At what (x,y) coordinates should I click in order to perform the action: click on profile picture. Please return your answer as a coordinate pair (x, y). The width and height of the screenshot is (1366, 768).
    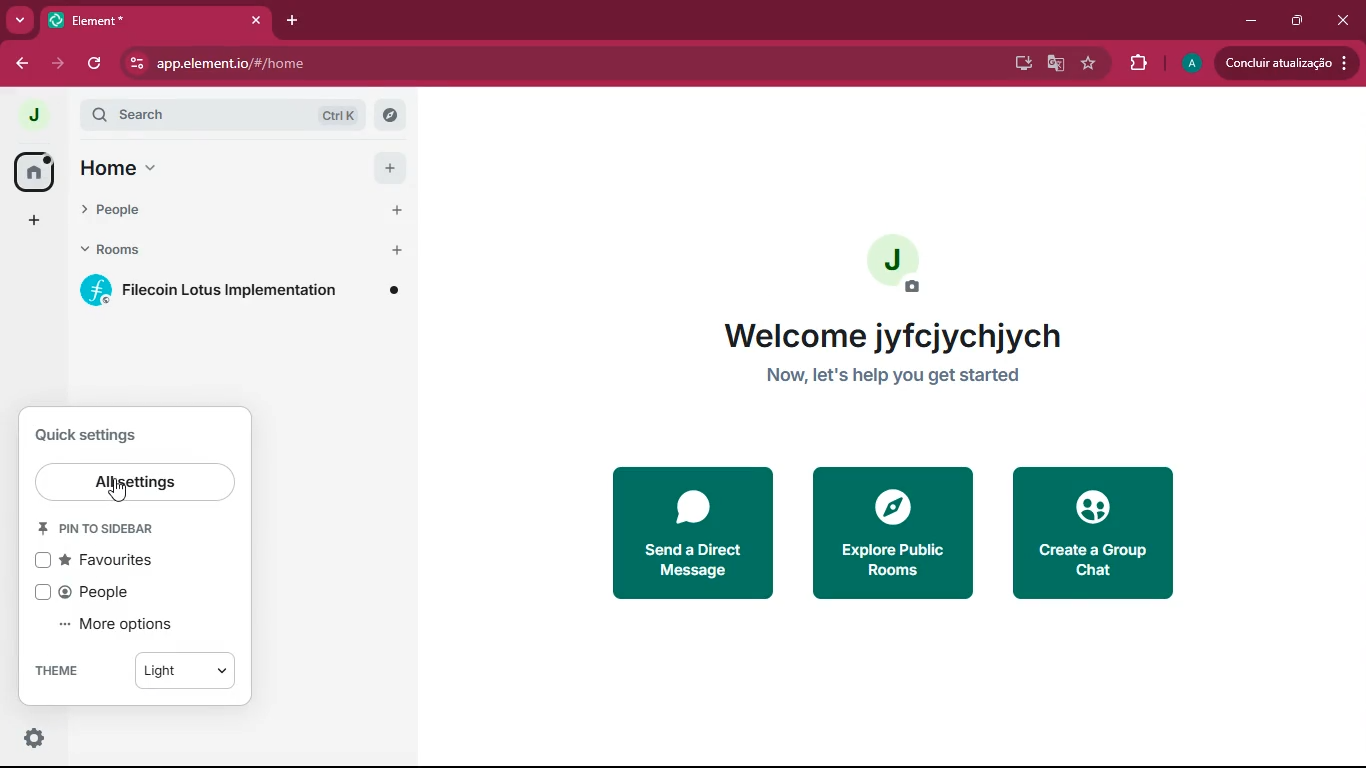
    Looking at the image, I should click on (1192, 63).